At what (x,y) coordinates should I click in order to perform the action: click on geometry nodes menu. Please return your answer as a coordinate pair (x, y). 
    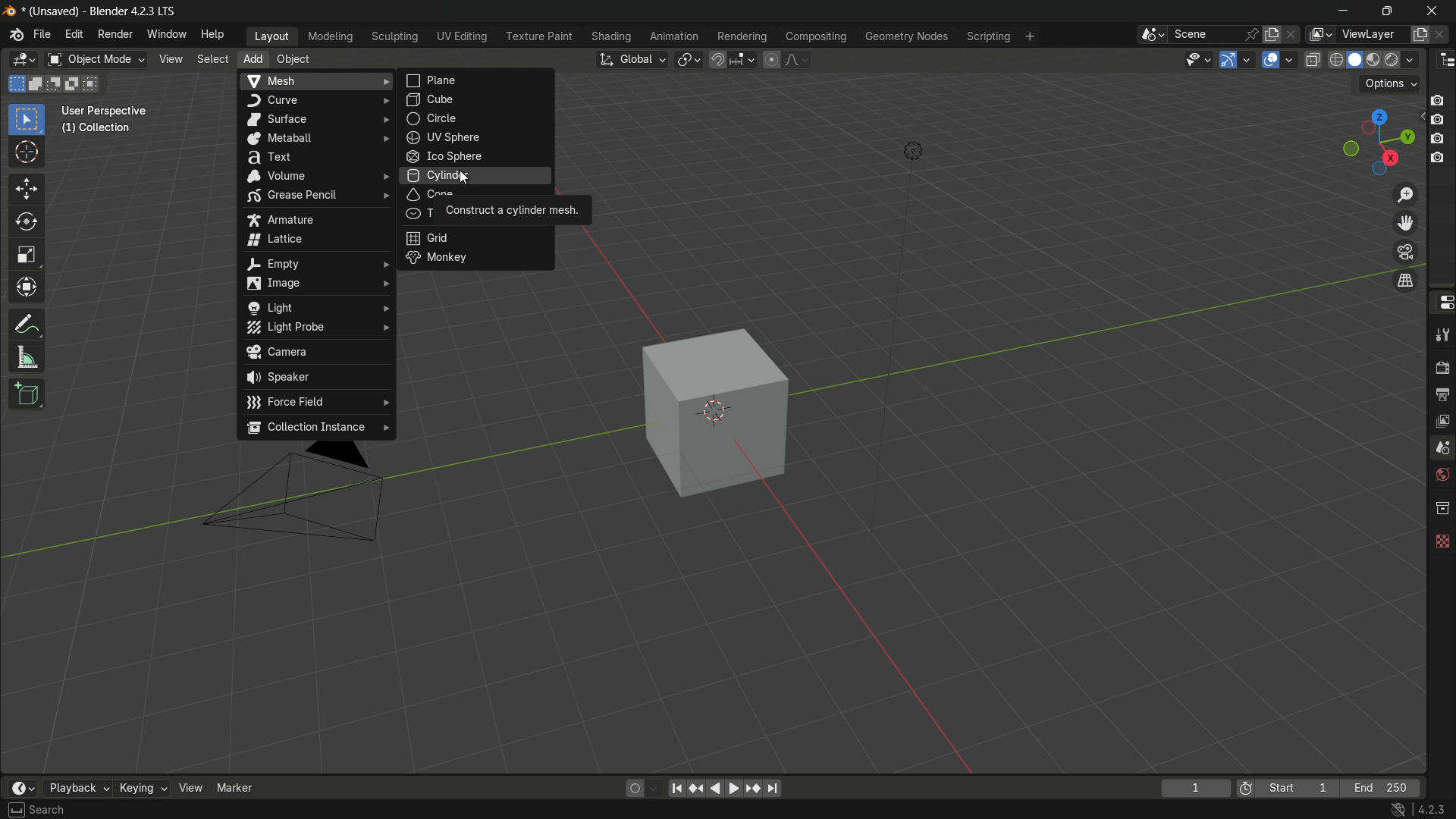
    Looking at the image, I should click on (907, 37).